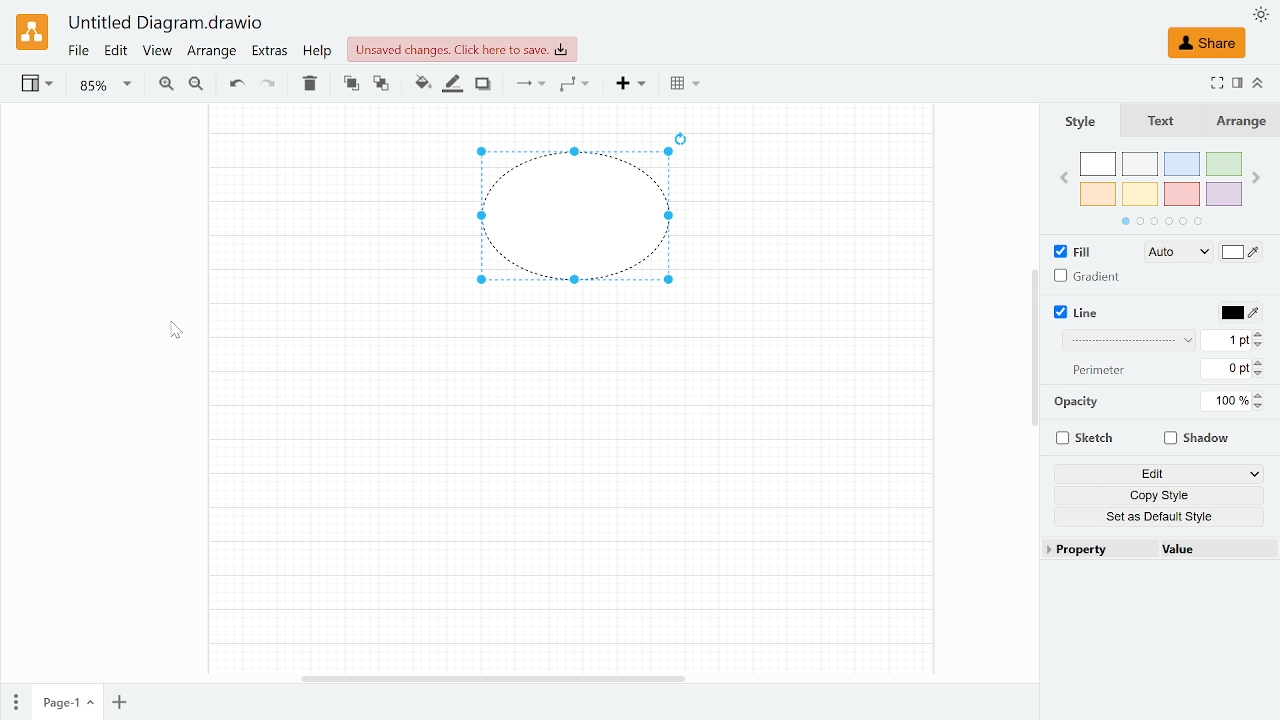 This screenshot has width=1280, height=720. What do you see at coordinates (1256, 82) in the screenshot?
I see `Collapse` at bounding box center [1256, 82].